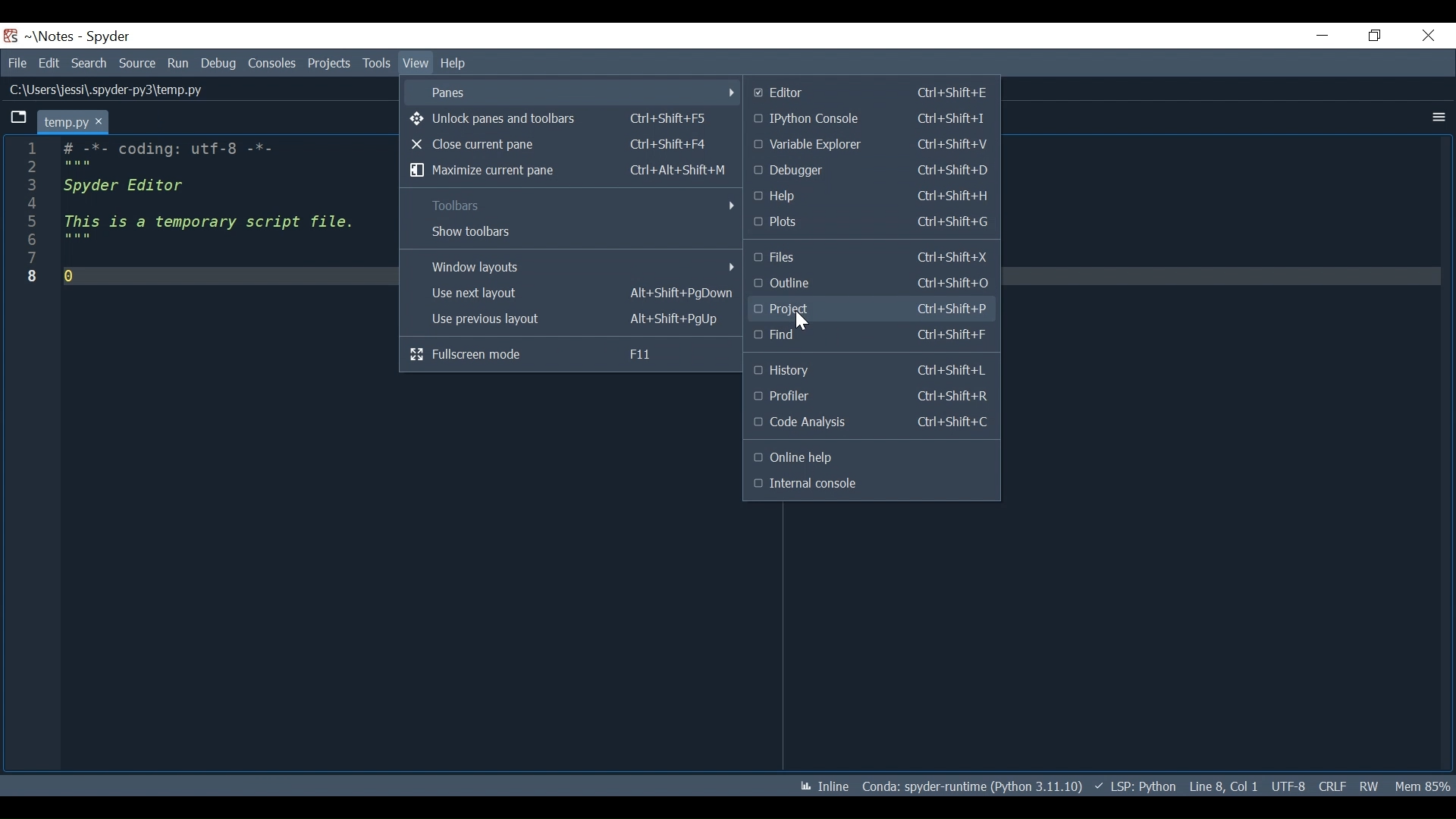 Image resolution: width=1456 pixels, height=819 pixels. I want to click on Unlock panes and toolbars, so click(568, 118).